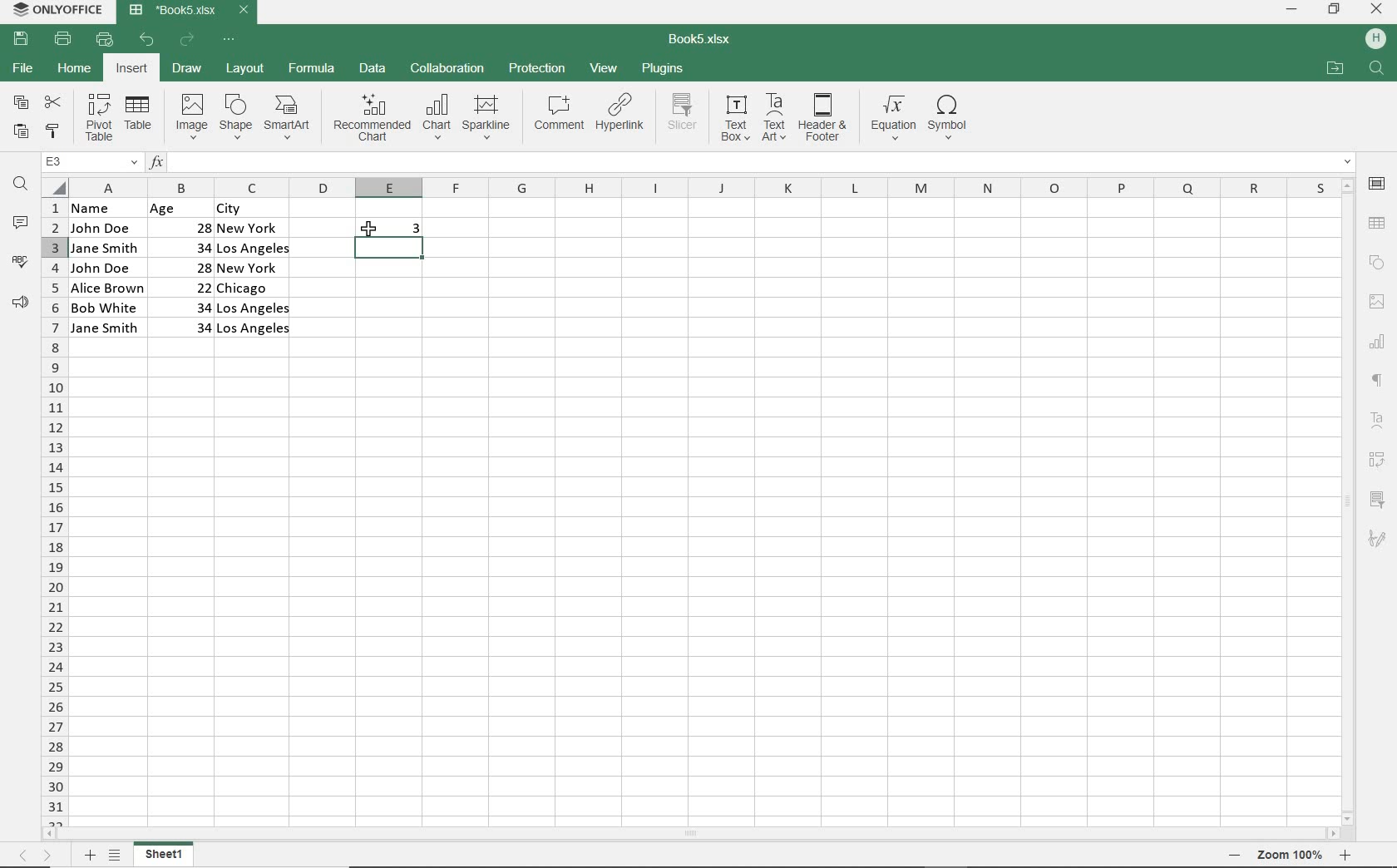 The width and height of the screenshot is (1397, 868). What do you see at coordinates (186, 69) in the screenshot?
I see `DRAW` at bounding box center [186, 69].